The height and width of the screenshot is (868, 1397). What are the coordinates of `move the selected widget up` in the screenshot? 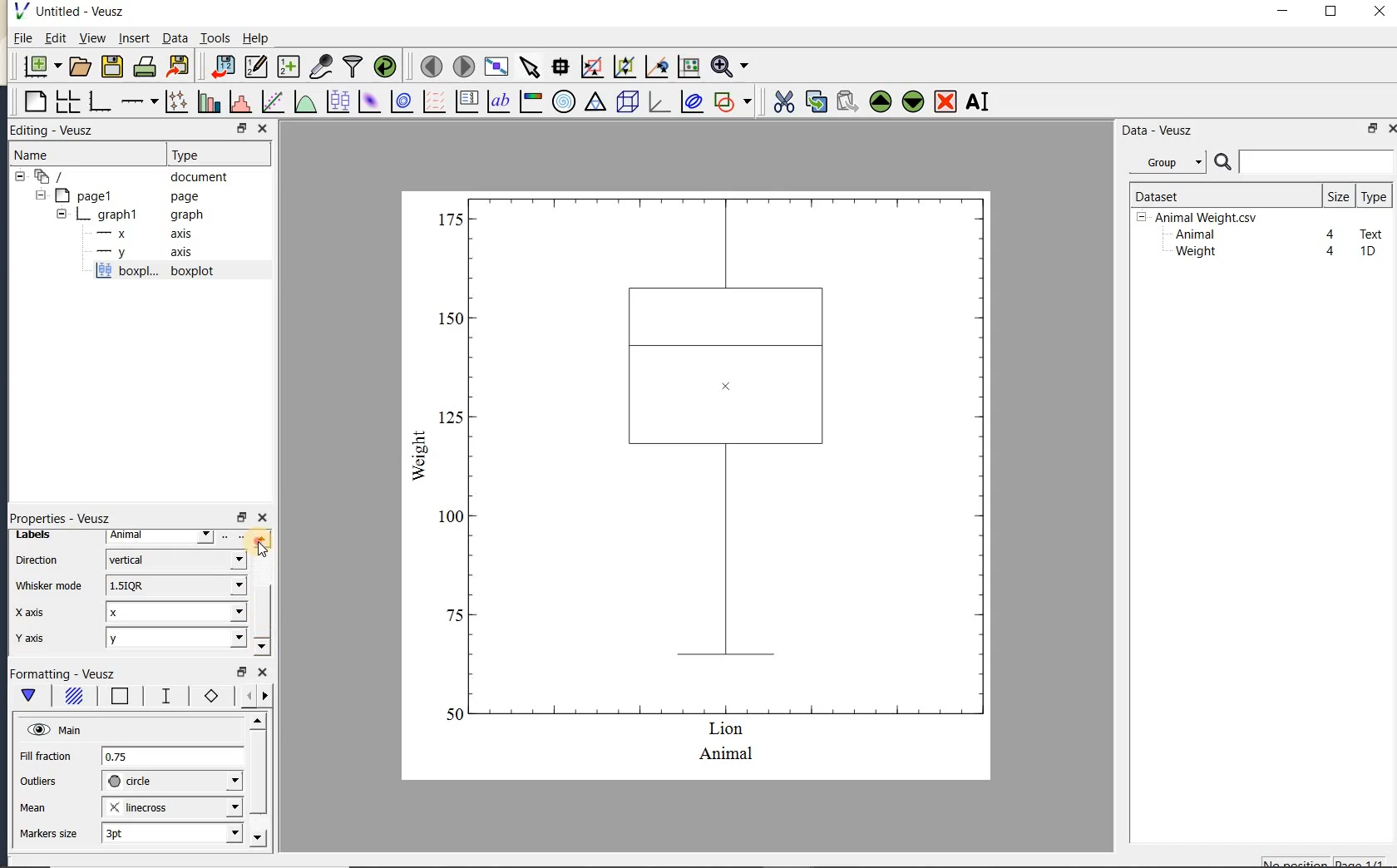 It's located at (881, 102).